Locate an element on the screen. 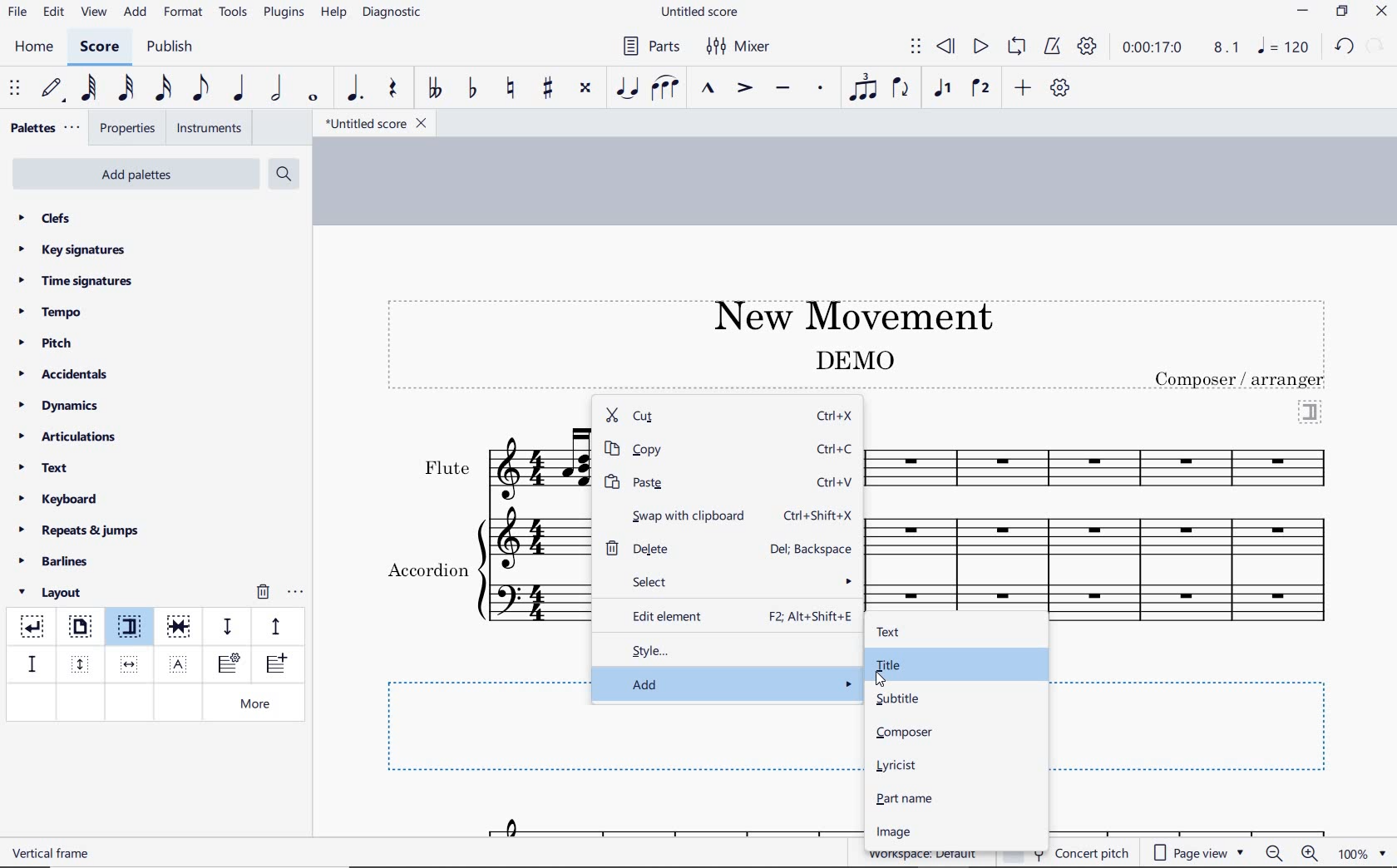  redo is located at coordinates (1344, 46).